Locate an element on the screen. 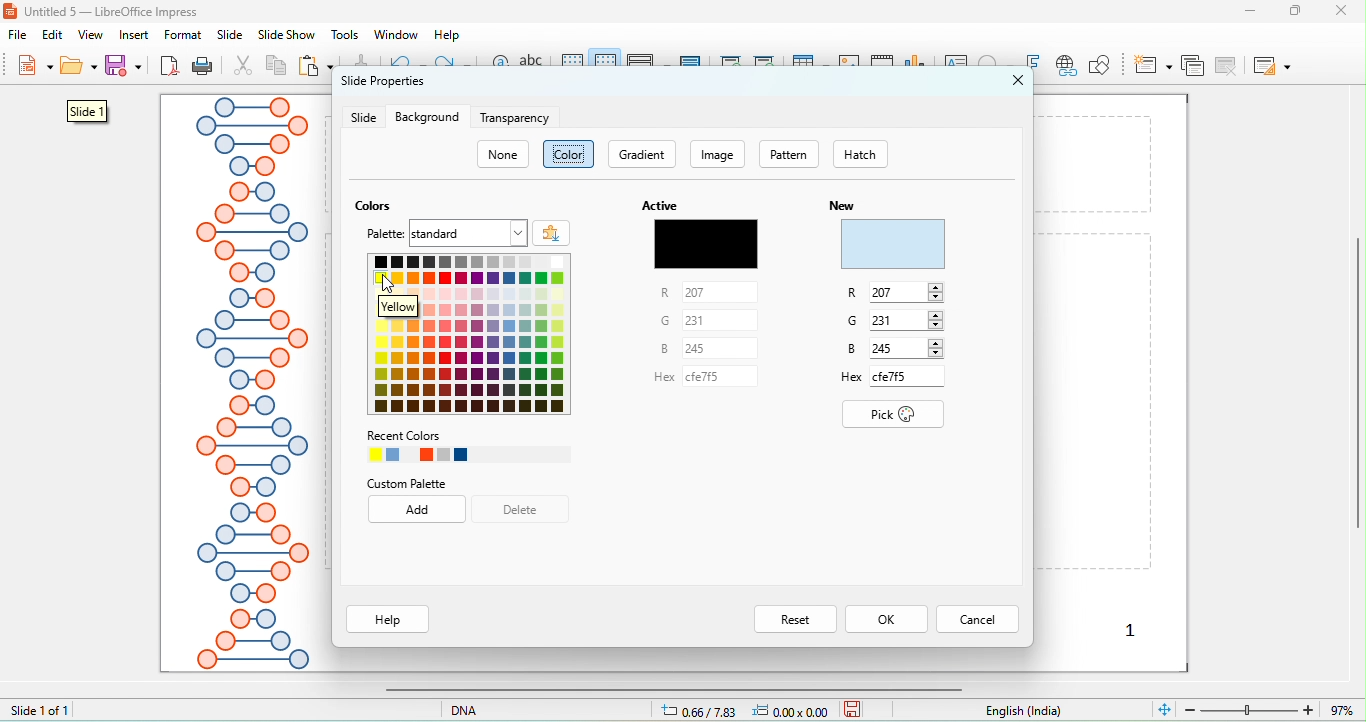 This screenshot has width=1366, height=722. format is located at coordinates (183, 35).